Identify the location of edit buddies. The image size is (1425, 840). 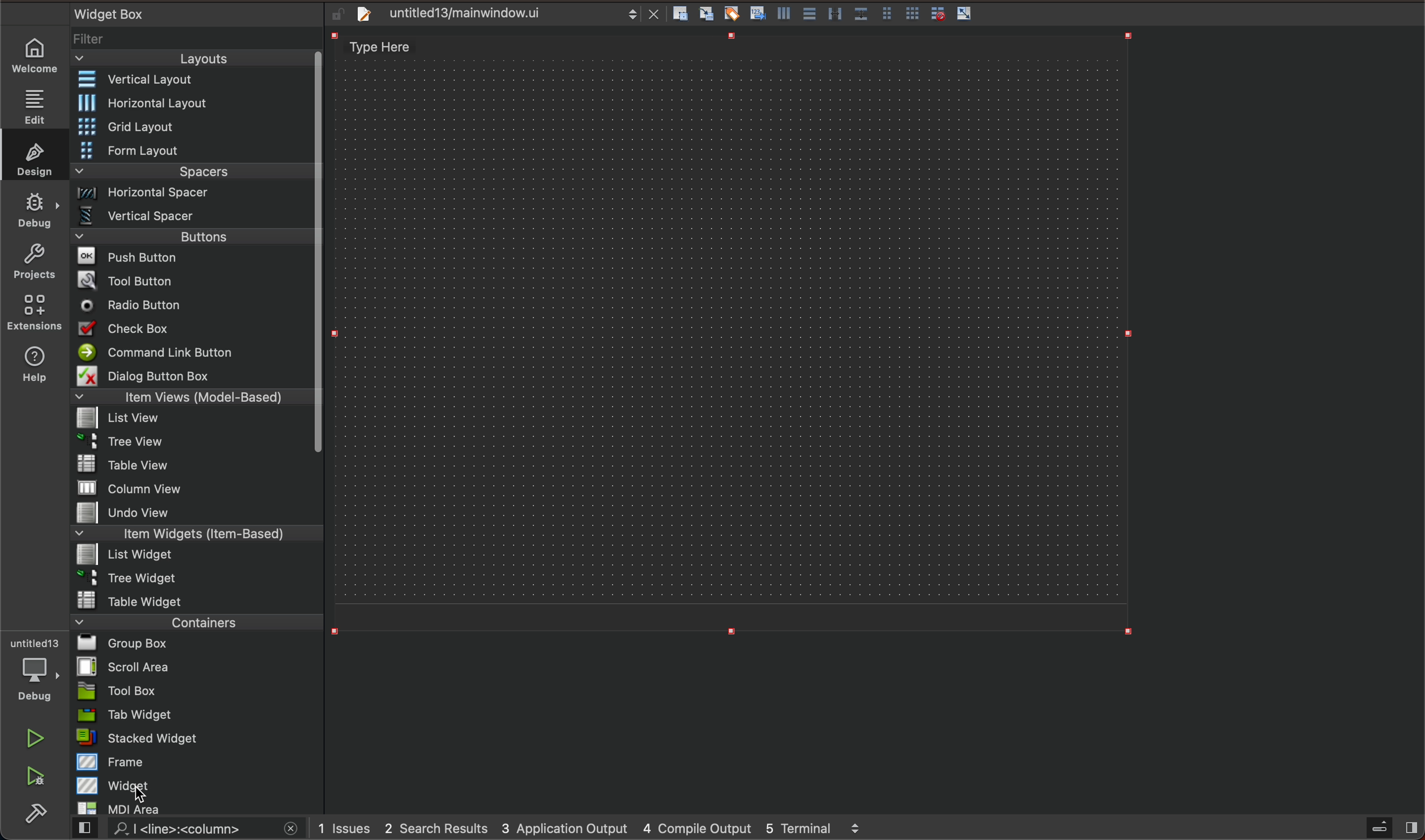
(734, 13).